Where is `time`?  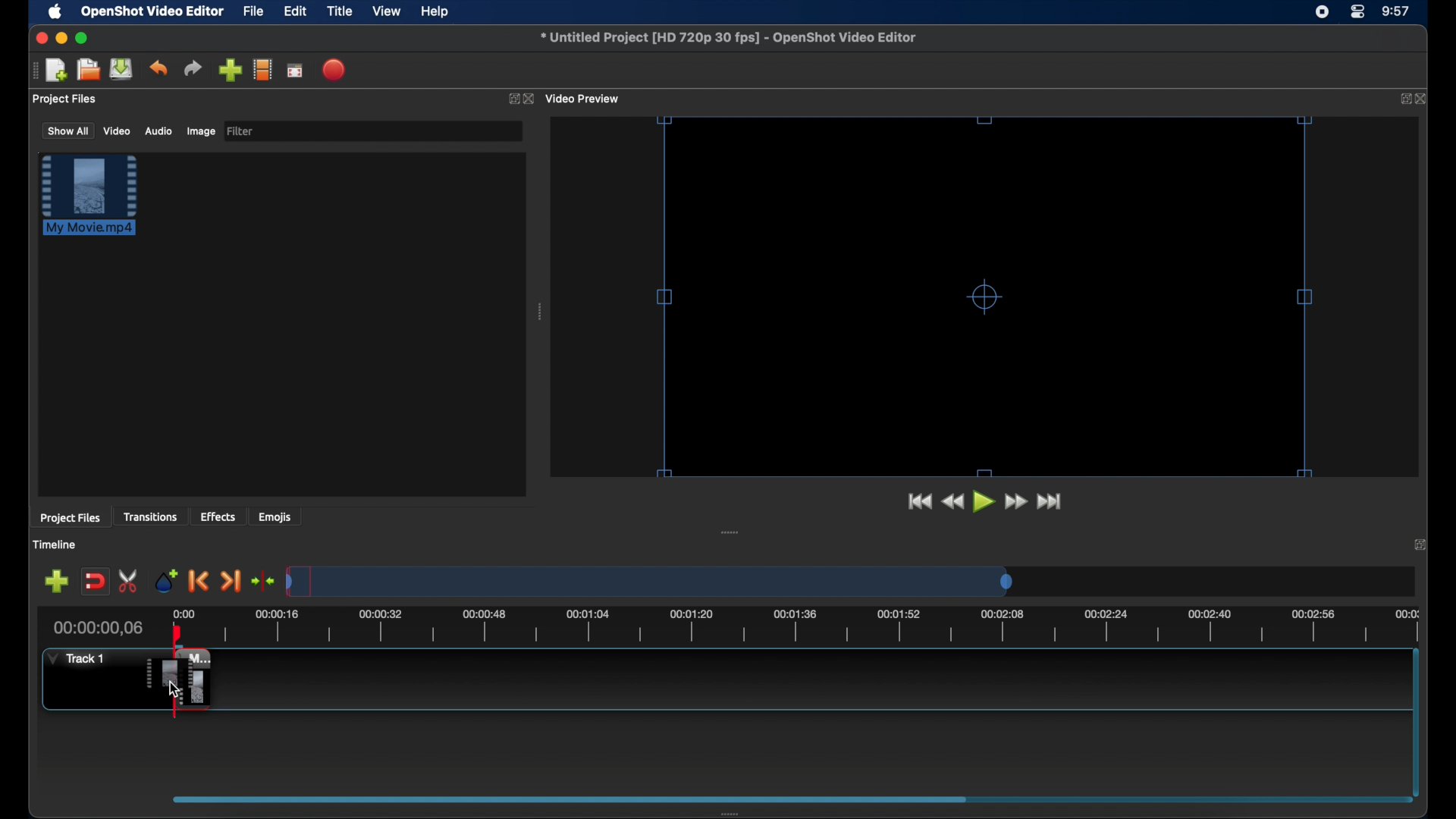 time is located at coordinates (1397, 12).